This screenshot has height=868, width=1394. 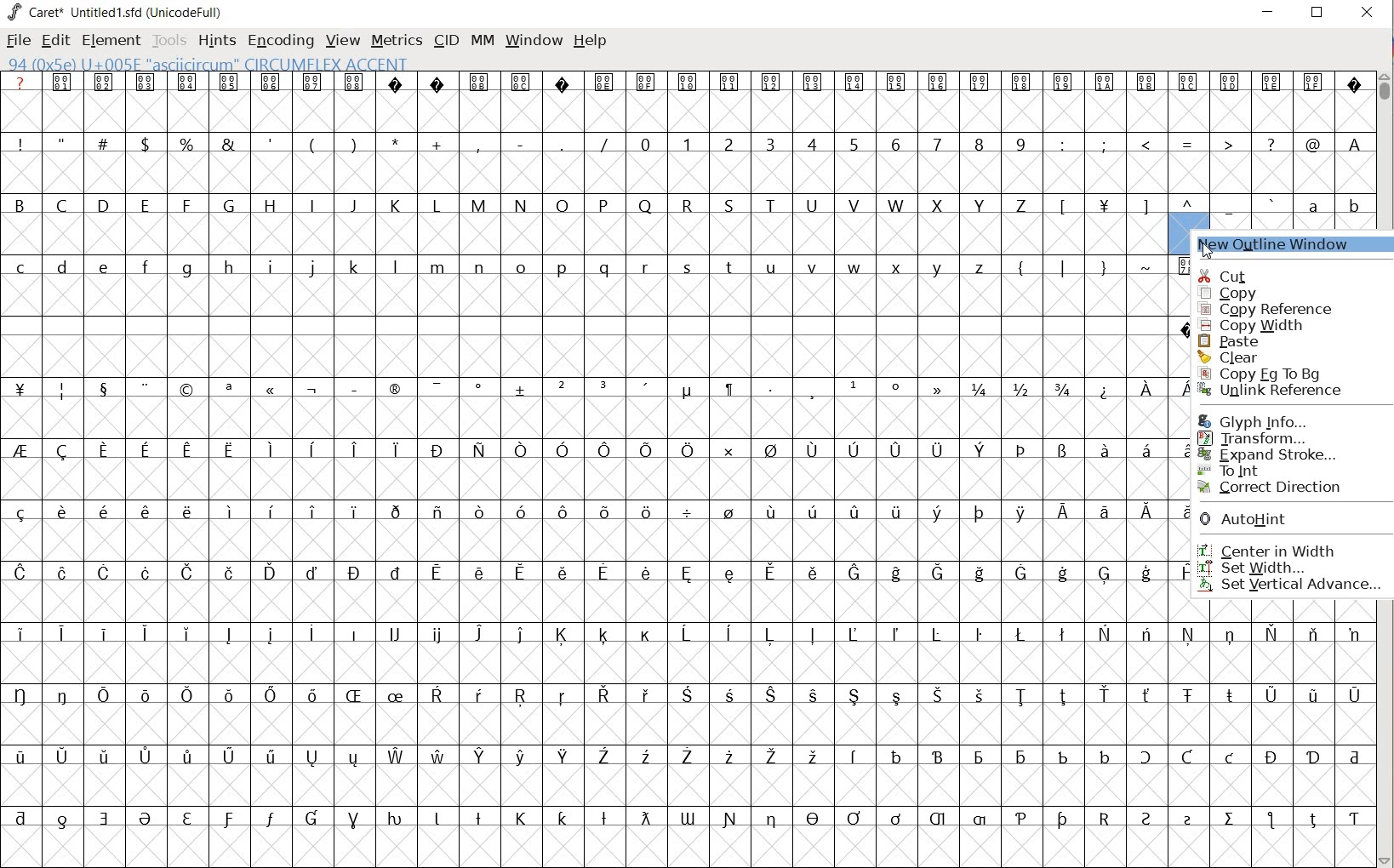 What do you see at coordinates (1283, 546) in the screenshot?
I see `center in width` at bounding box center [1283, 546].